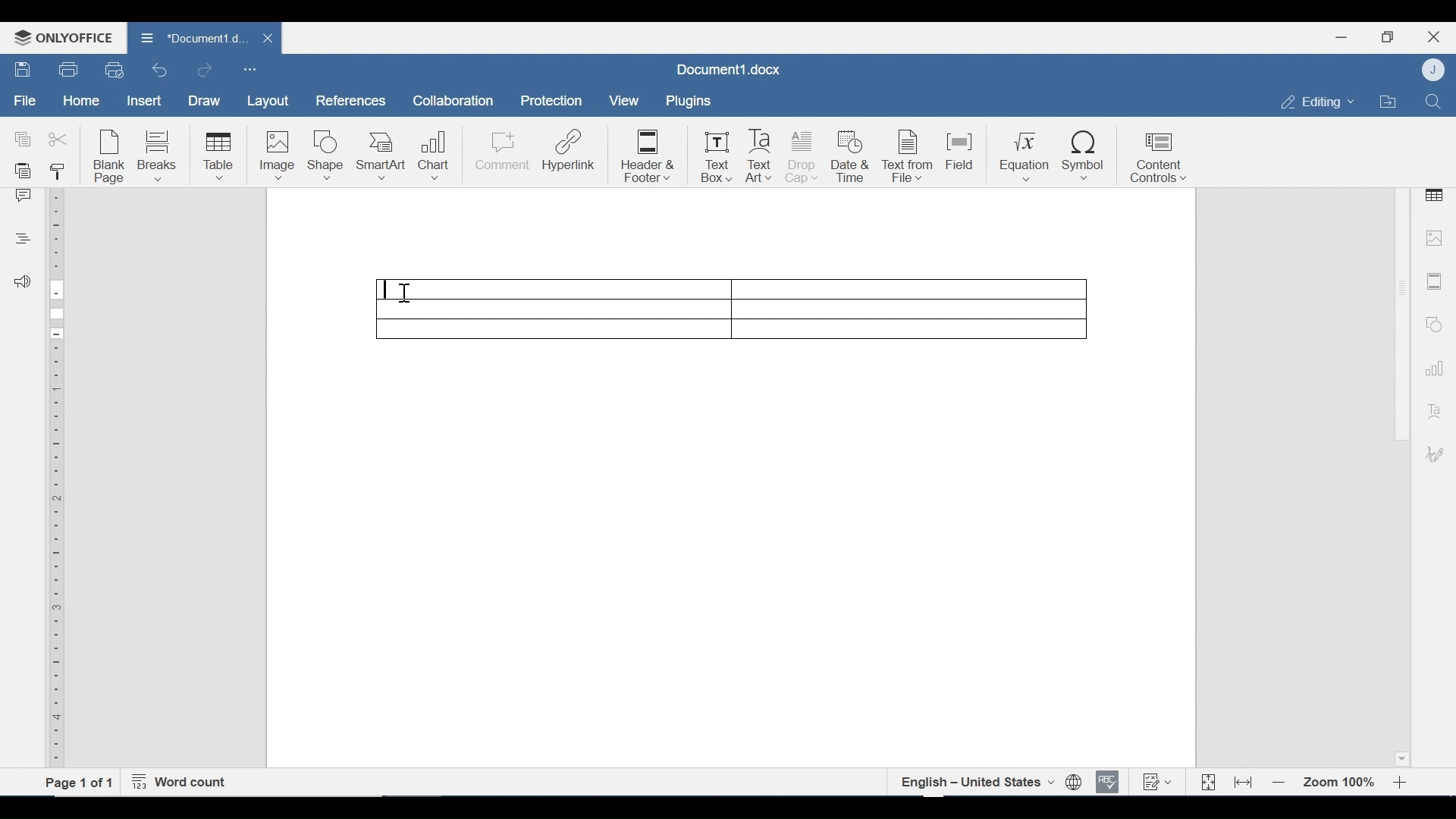  What do you see at coordinates (1387, 100) in the screenshot?
I see `Open Filelocation` at bounding box center [1387, 100].